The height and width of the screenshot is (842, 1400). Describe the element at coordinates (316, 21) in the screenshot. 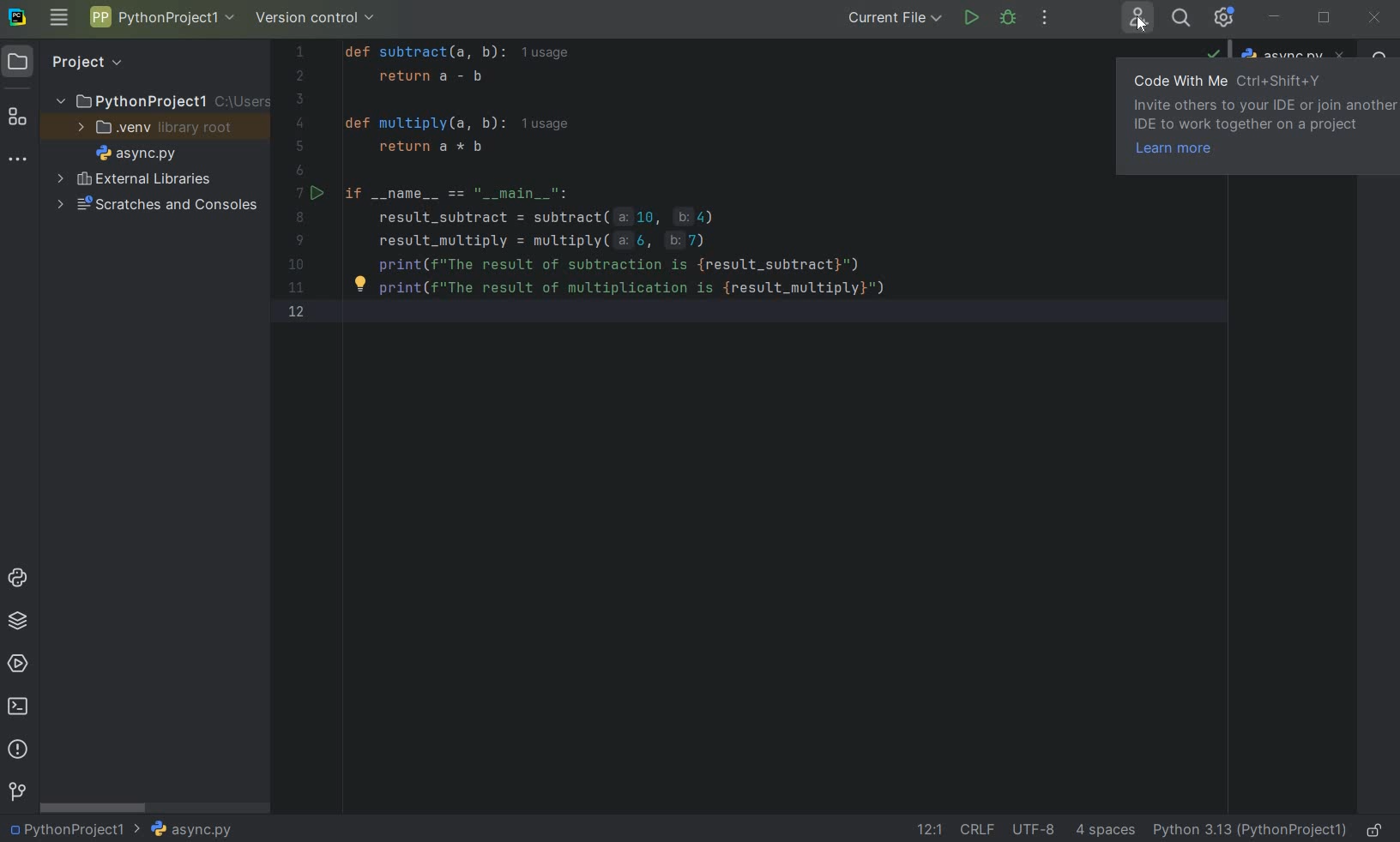

I see `VERSION CONTROL` at that location.